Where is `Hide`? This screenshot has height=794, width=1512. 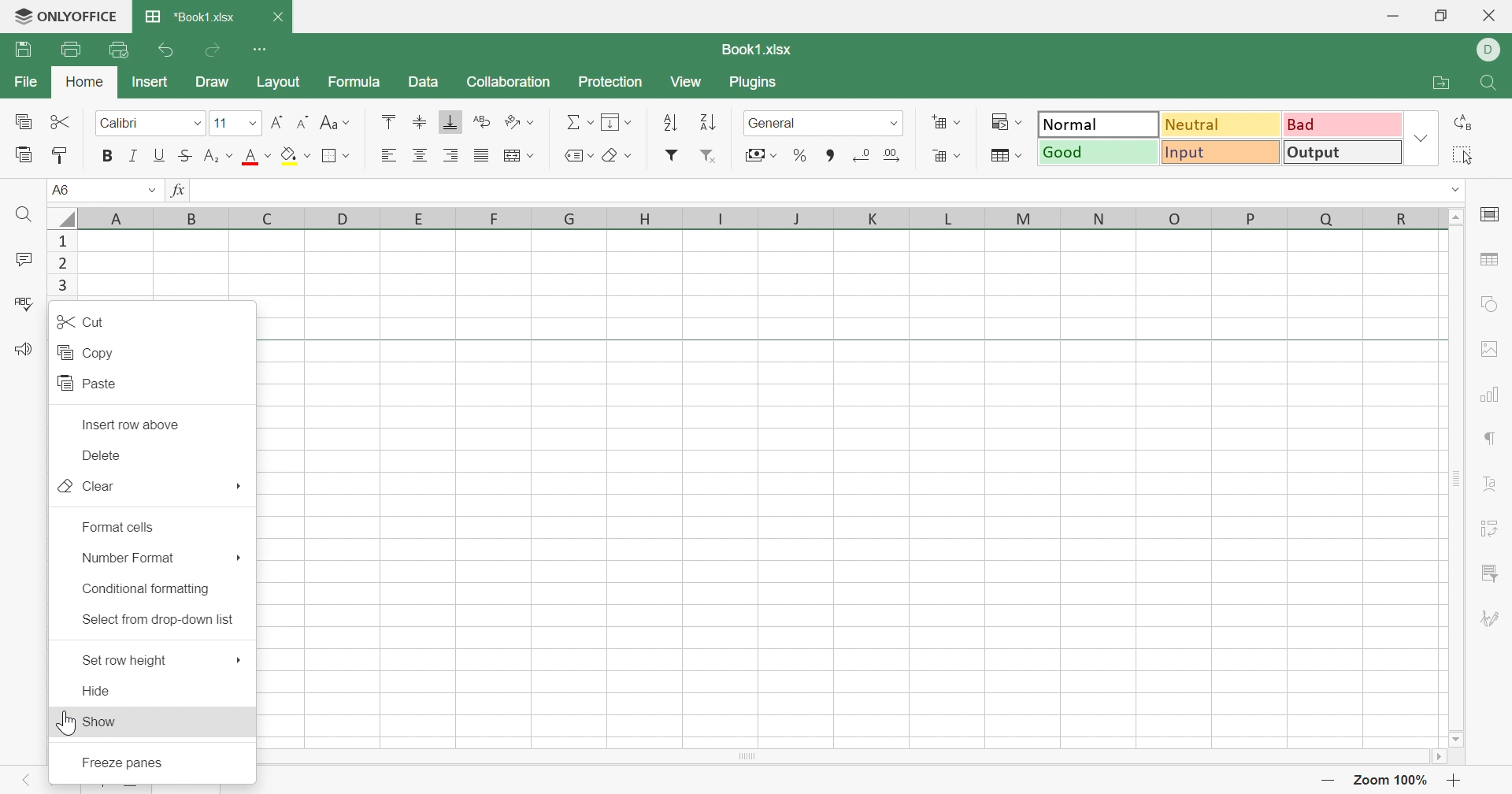 Hide is located at coordinates (98, 690).